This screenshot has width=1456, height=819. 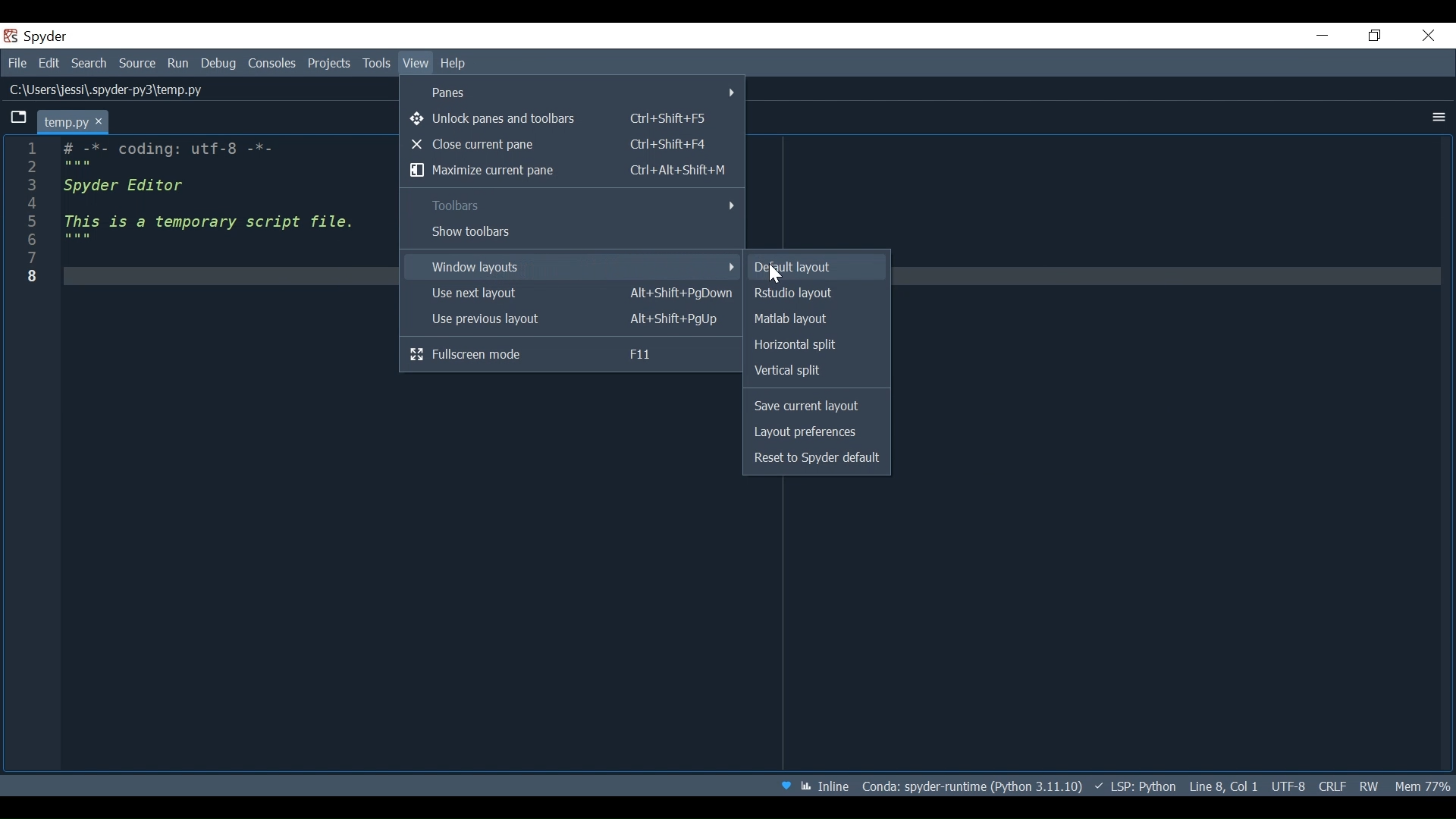 What do you see at coordinates (971, 786) in the screenshot?
I see `Conda Environment Indicator` at bounding box center [971, 786].